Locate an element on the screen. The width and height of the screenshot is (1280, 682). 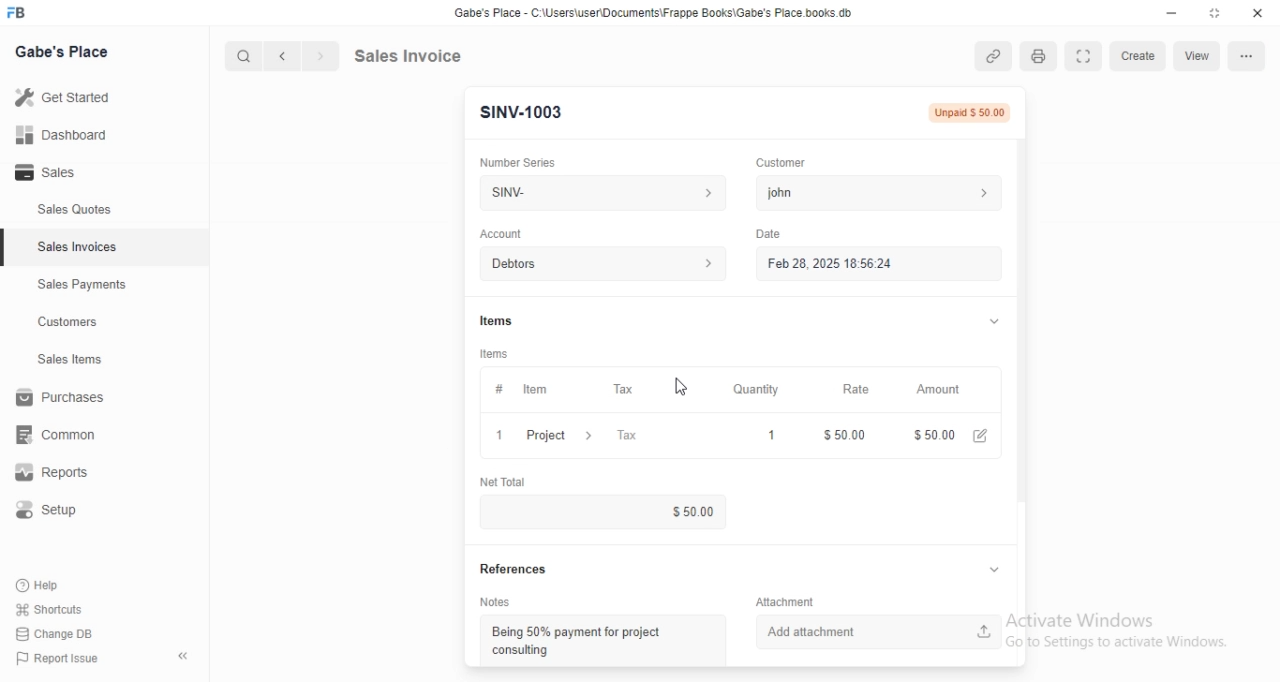
Feb 28, 2025 18:56:24. is located at coordinates (875, 262).